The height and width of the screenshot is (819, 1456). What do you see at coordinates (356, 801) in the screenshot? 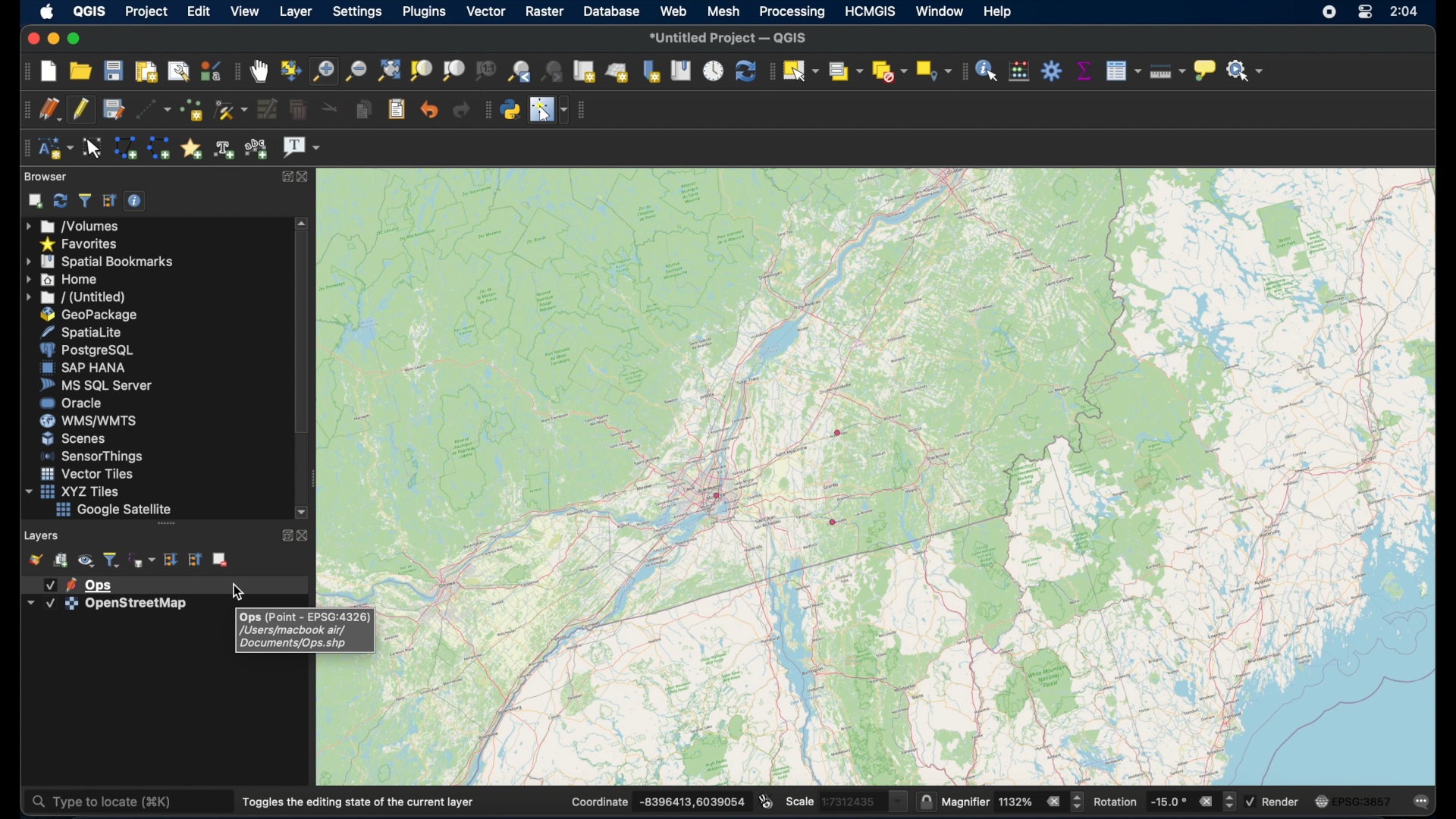
I see `toggles the editing state of current layer` at bounding box center [356, 801].